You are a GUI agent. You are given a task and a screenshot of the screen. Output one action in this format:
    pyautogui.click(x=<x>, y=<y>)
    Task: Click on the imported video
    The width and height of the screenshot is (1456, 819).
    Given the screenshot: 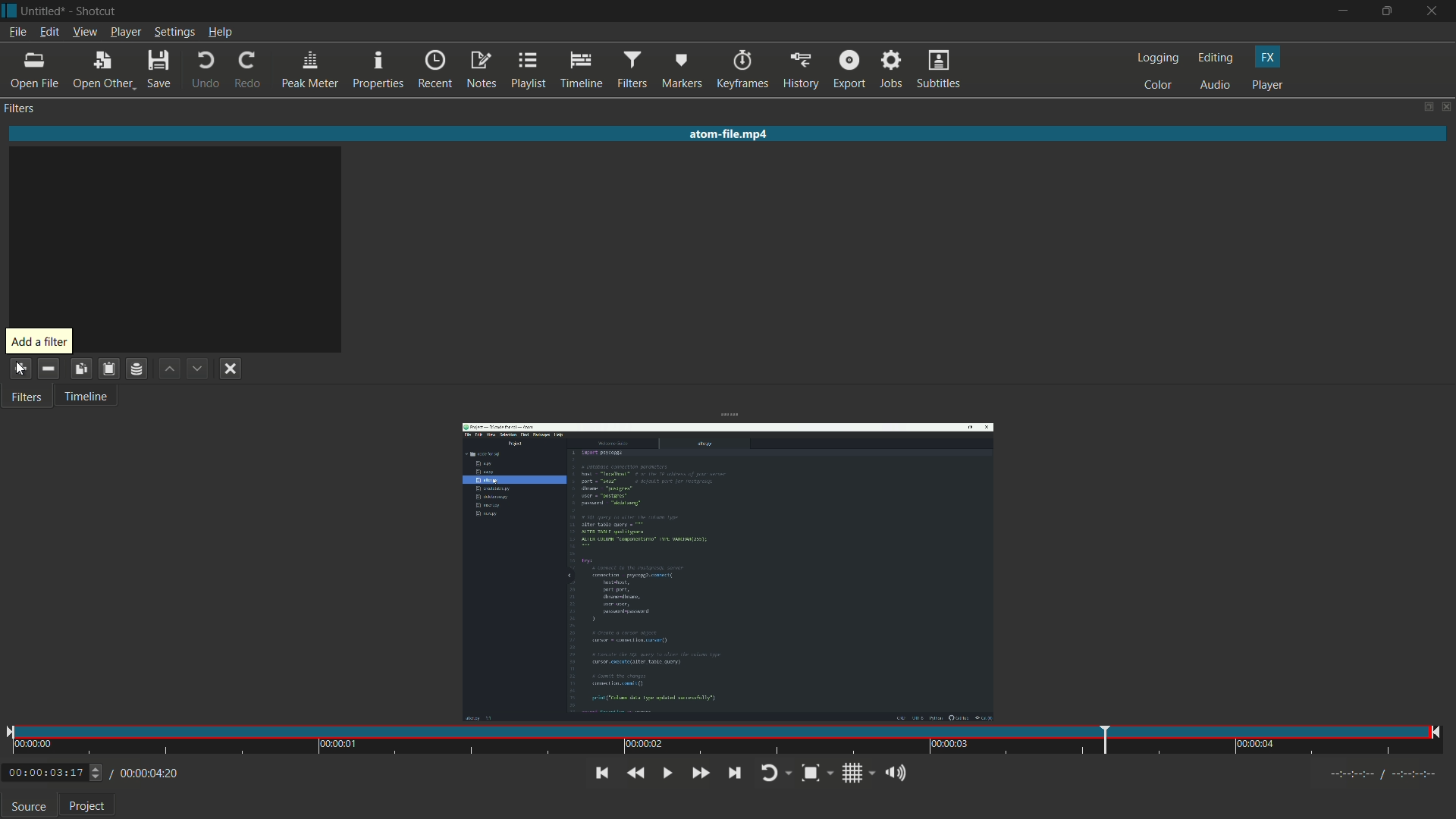 What is the action you would take?
    pyautogui.click(x=730, y=572)
    